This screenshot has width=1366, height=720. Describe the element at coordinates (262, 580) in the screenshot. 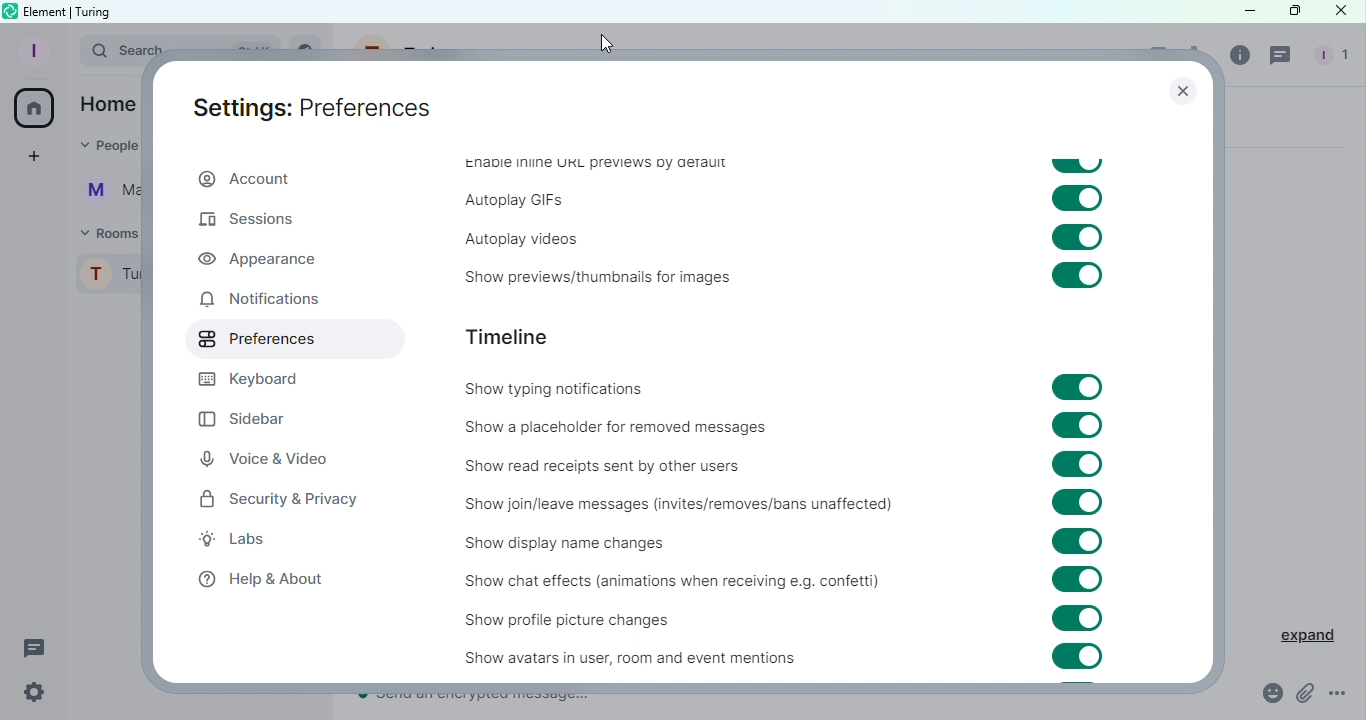

I see `Help and about` at that location.